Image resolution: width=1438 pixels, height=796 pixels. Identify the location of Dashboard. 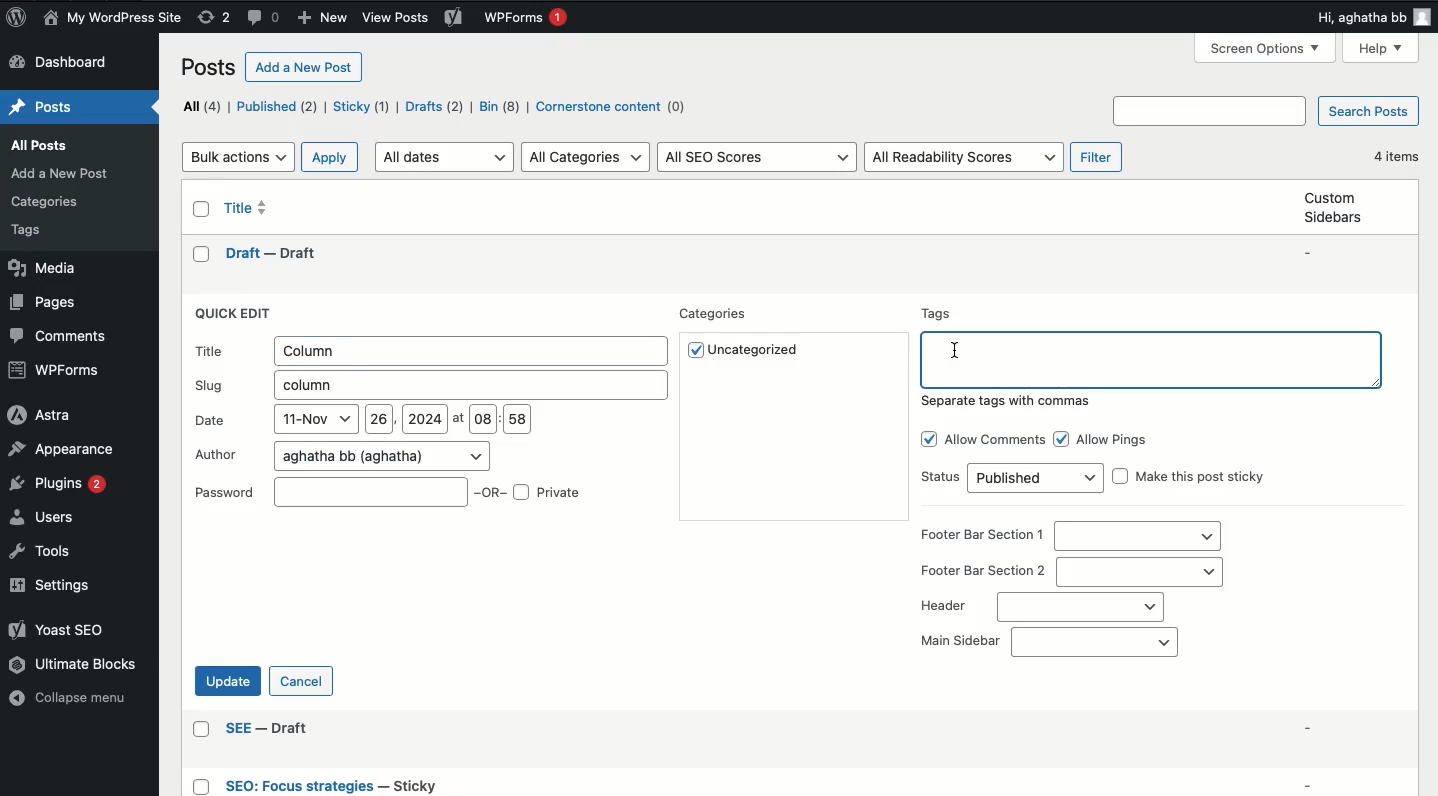
(70, 63).